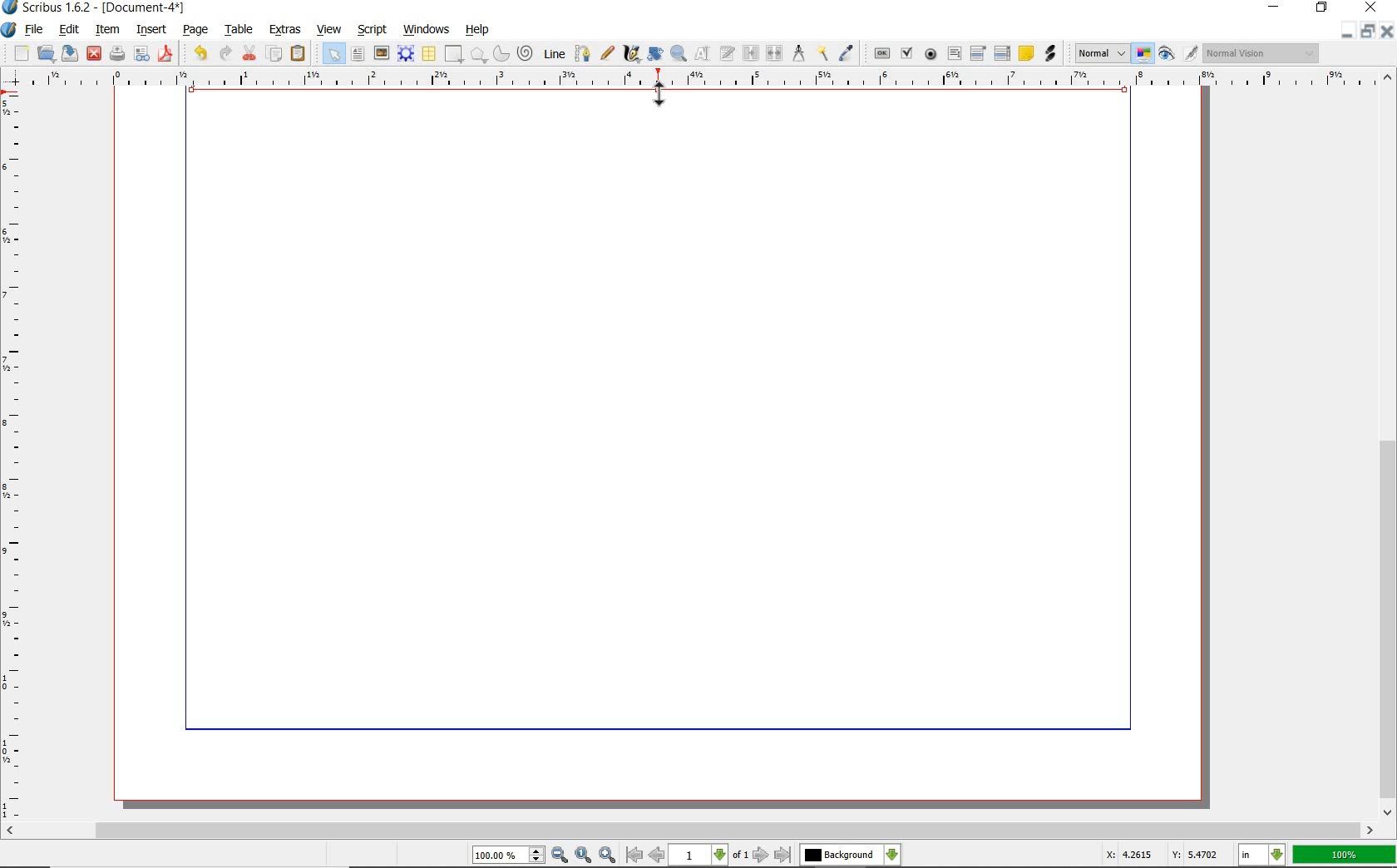 This screenshot has width=1397, height=868. What do you see at coordinates (454, 55) in the screenshot?
I see `shape` at bounding box center [454, 55].